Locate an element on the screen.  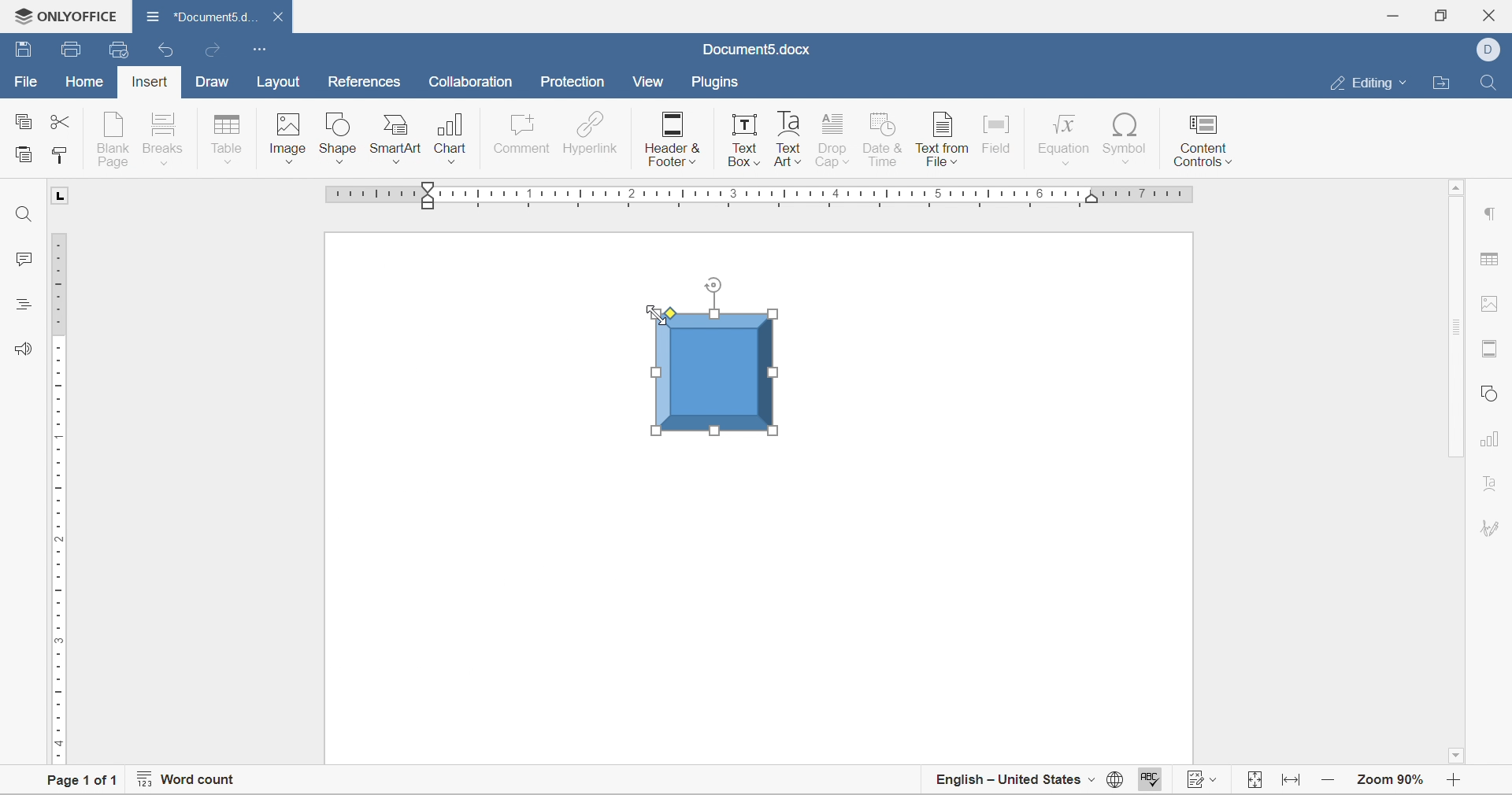
table settings is located at coordinates (1497, 259).